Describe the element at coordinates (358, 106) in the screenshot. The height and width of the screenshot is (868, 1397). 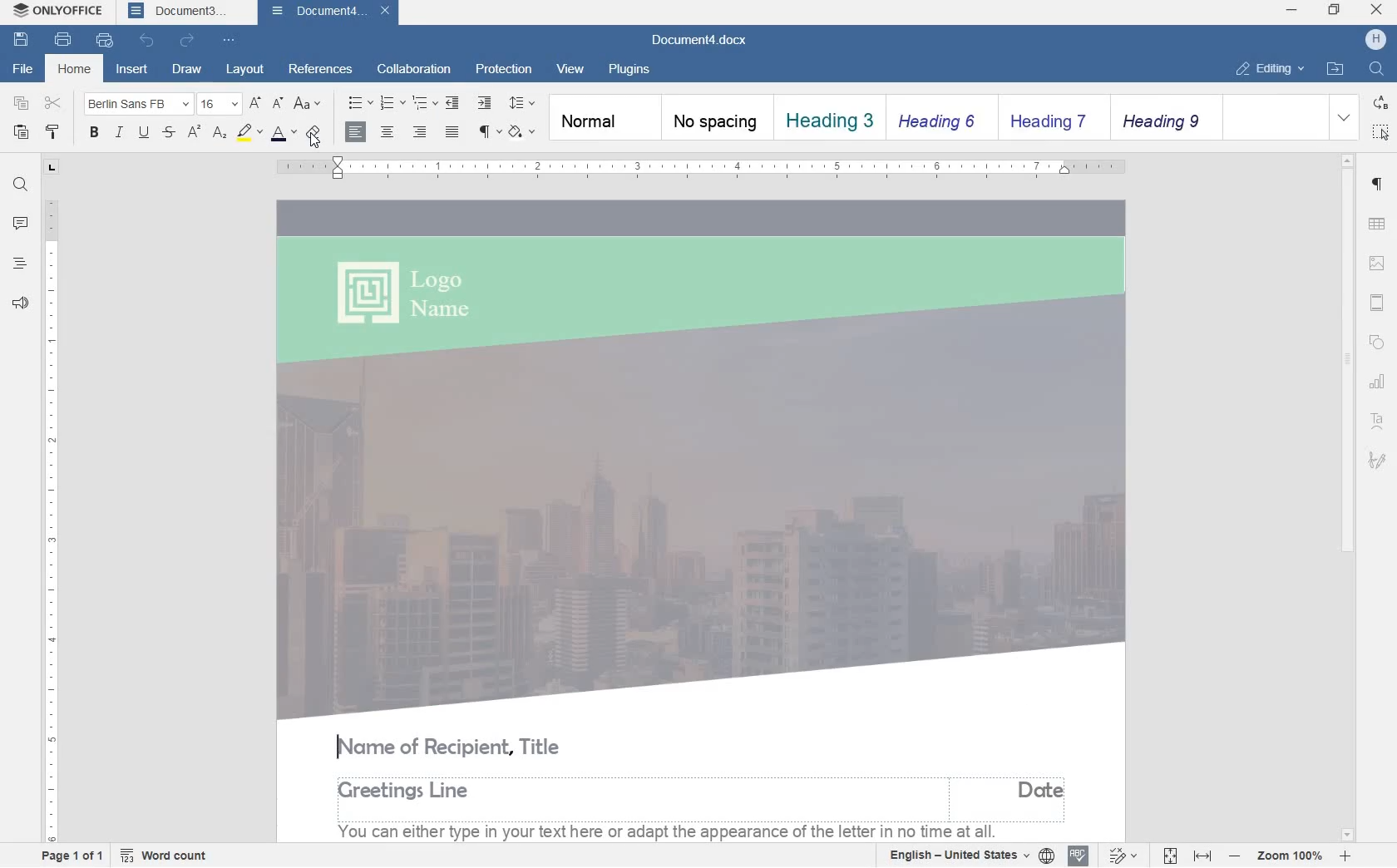
I see `bullets` at that location.